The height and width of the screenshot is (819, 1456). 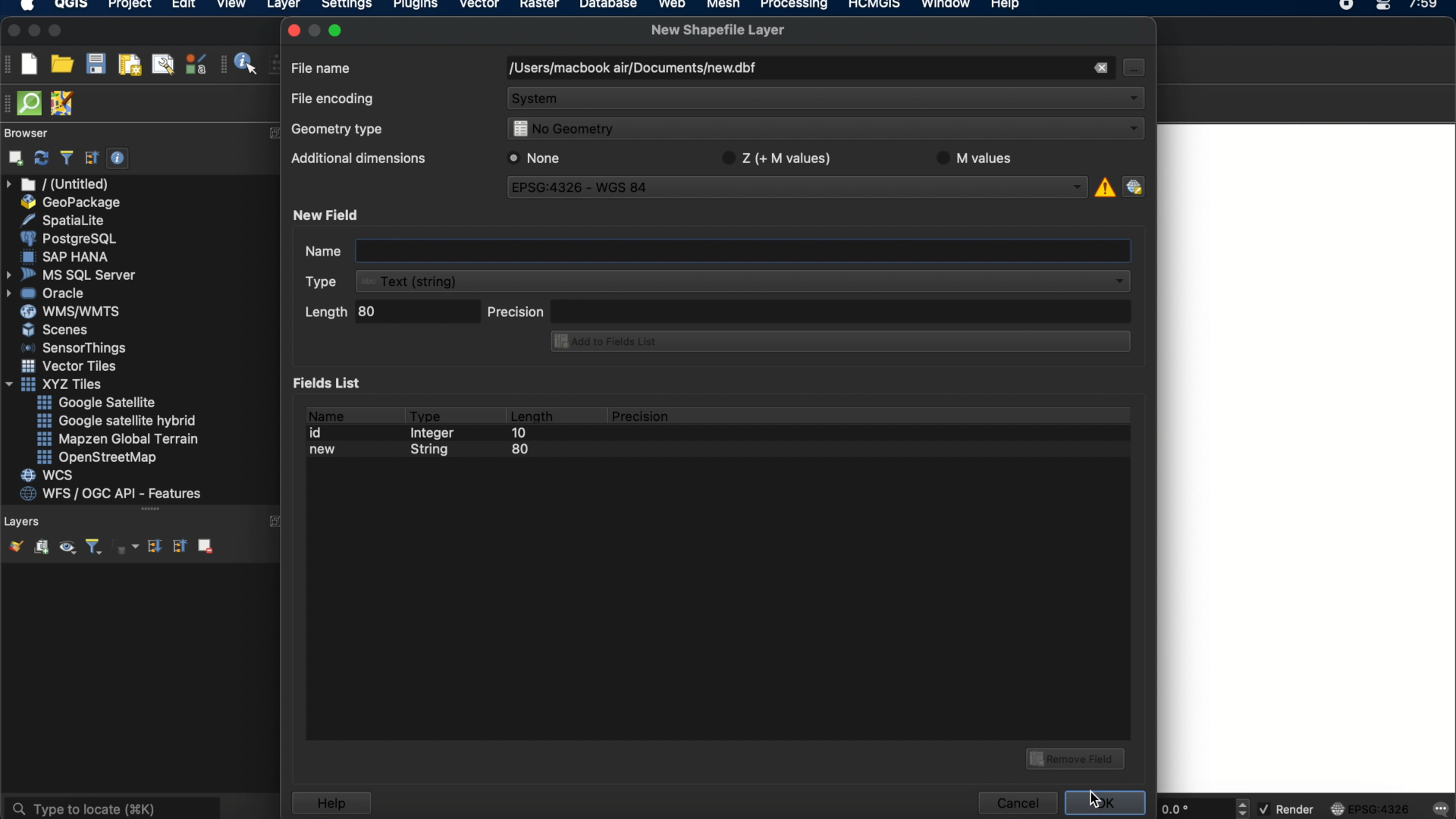 What do you see at coordinates (33, 103) in the screenshot?
I see `QuickOSM` at bounding box center [33, 103].